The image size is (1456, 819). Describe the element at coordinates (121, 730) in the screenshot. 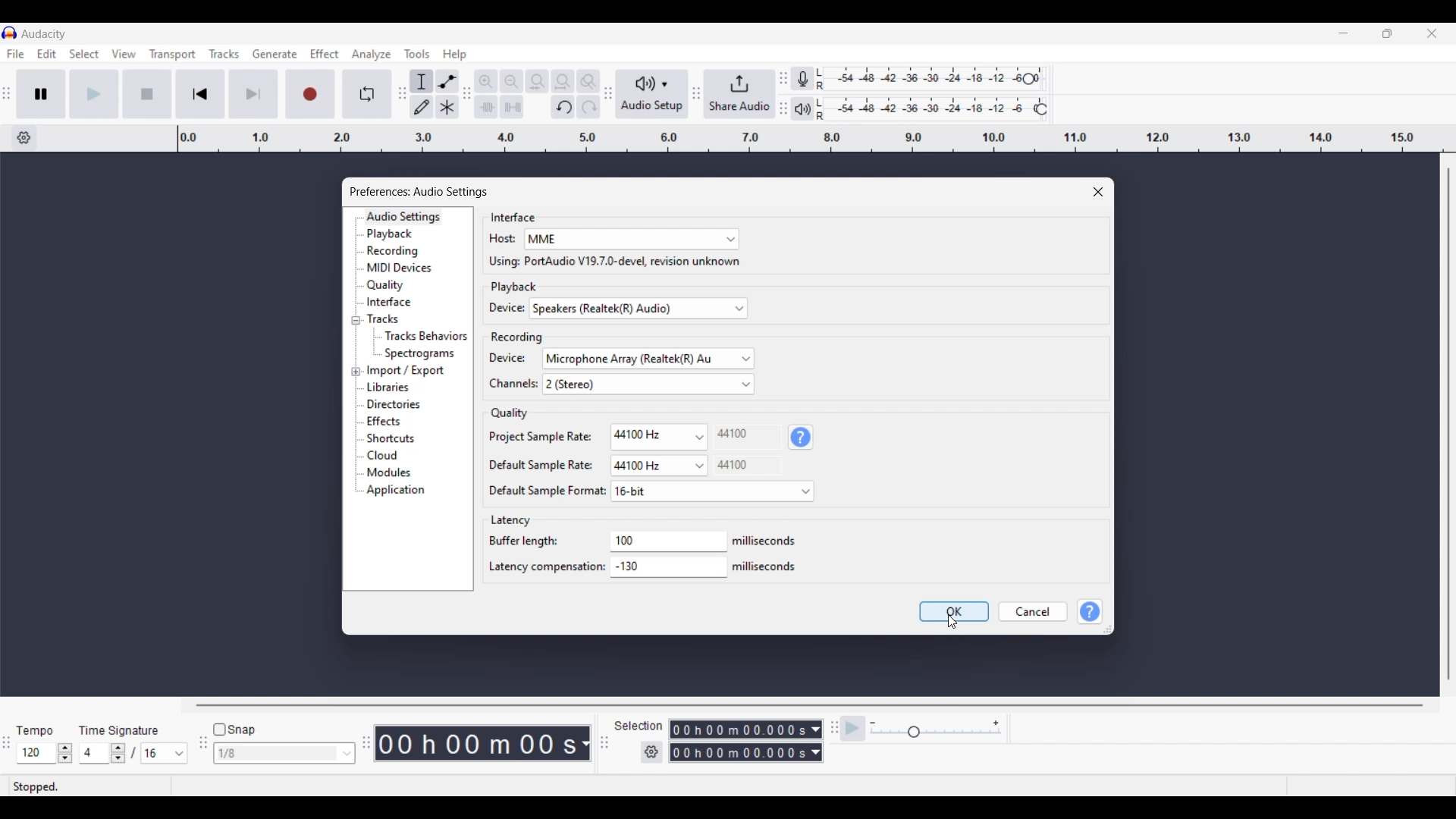

I see `Time Signature` at that location.